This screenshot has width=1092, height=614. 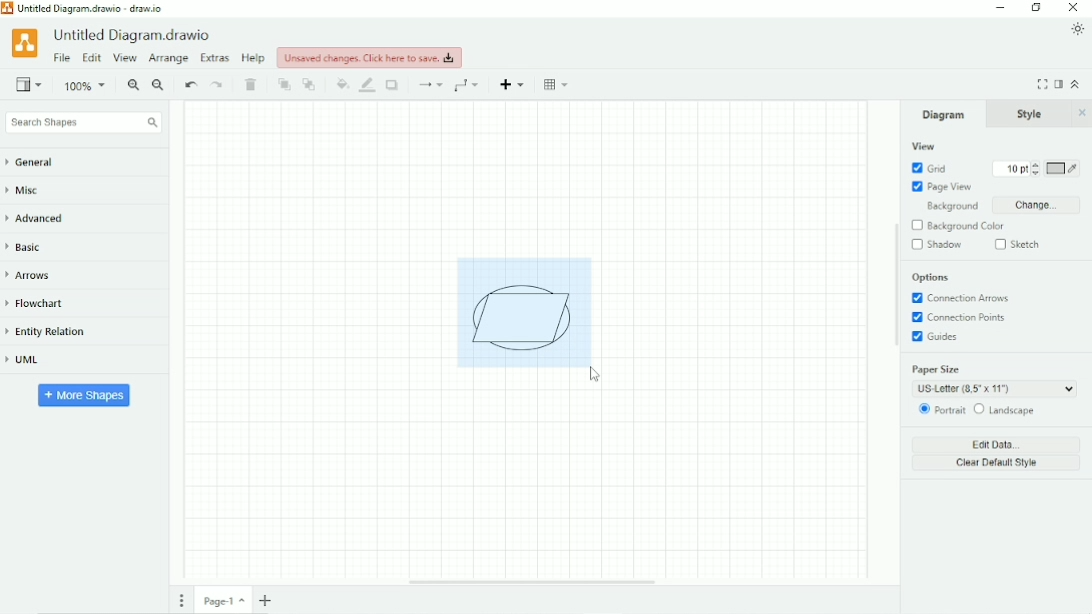 I want to click on Waypoints, so click(x=469, y=85).